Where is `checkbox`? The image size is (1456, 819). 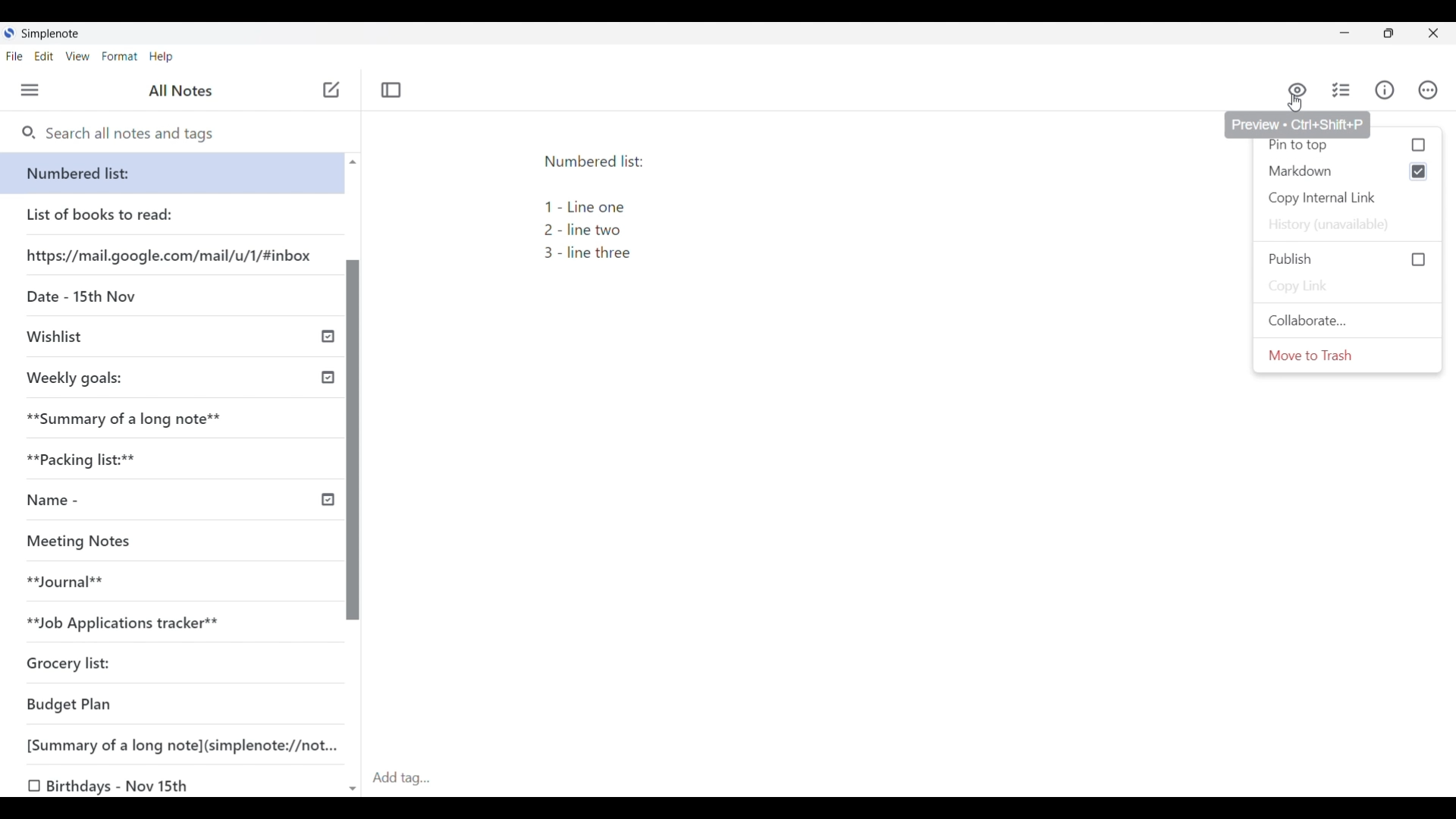
checkbox is located at coordinates (1420, 260).